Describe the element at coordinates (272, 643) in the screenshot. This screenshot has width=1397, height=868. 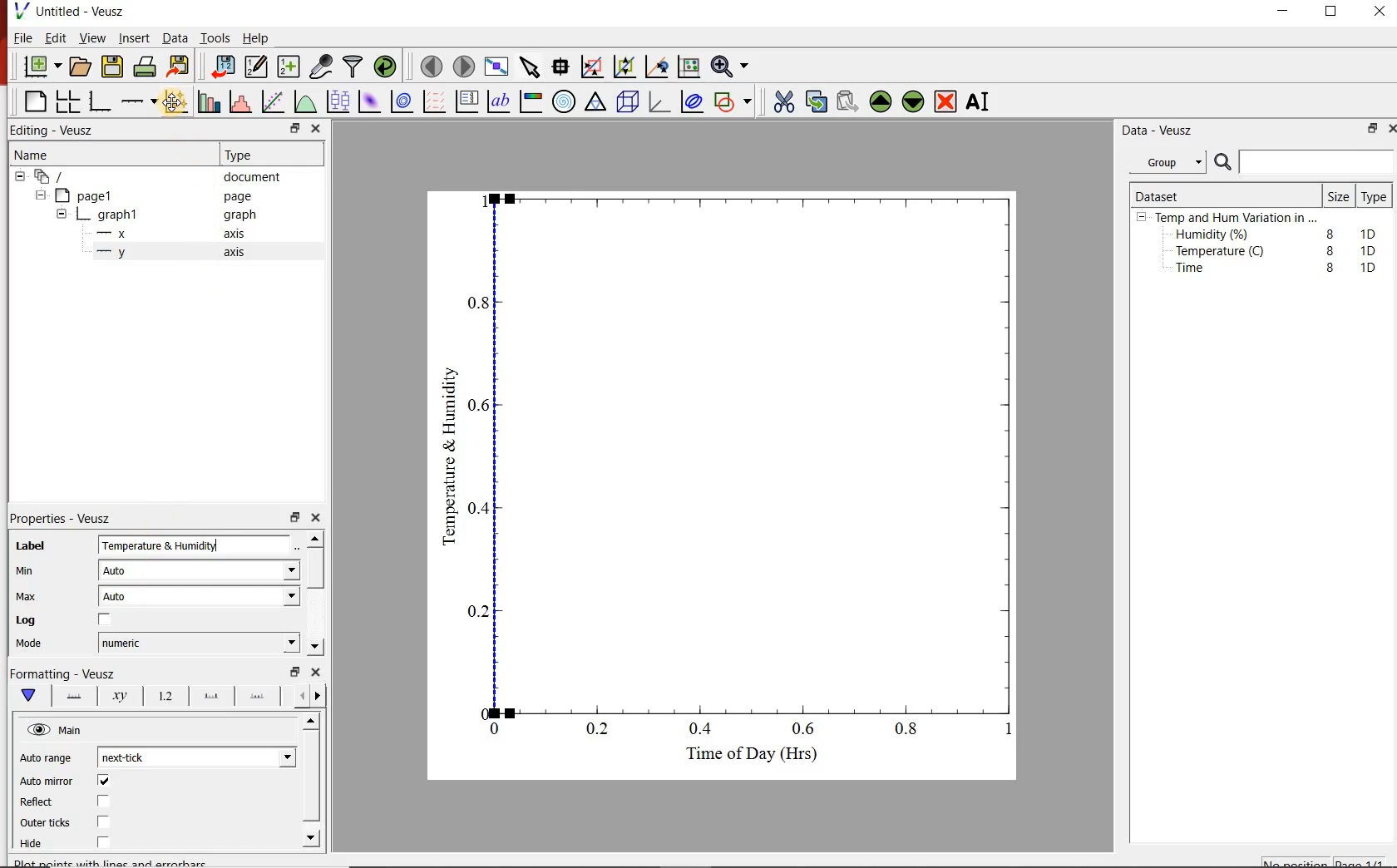
I see `Mode dropdown` at that location.